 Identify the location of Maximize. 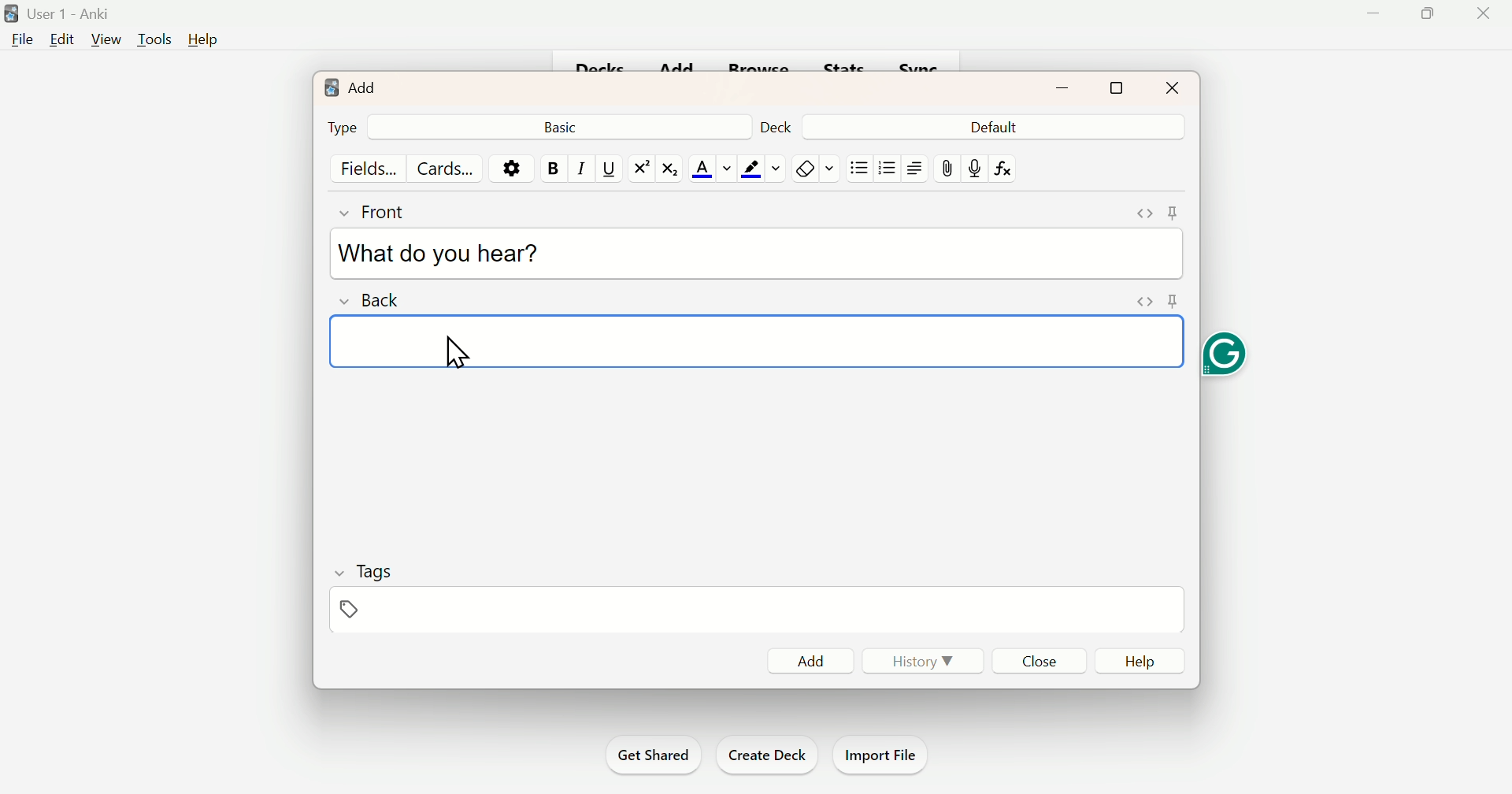
(1432, 15).